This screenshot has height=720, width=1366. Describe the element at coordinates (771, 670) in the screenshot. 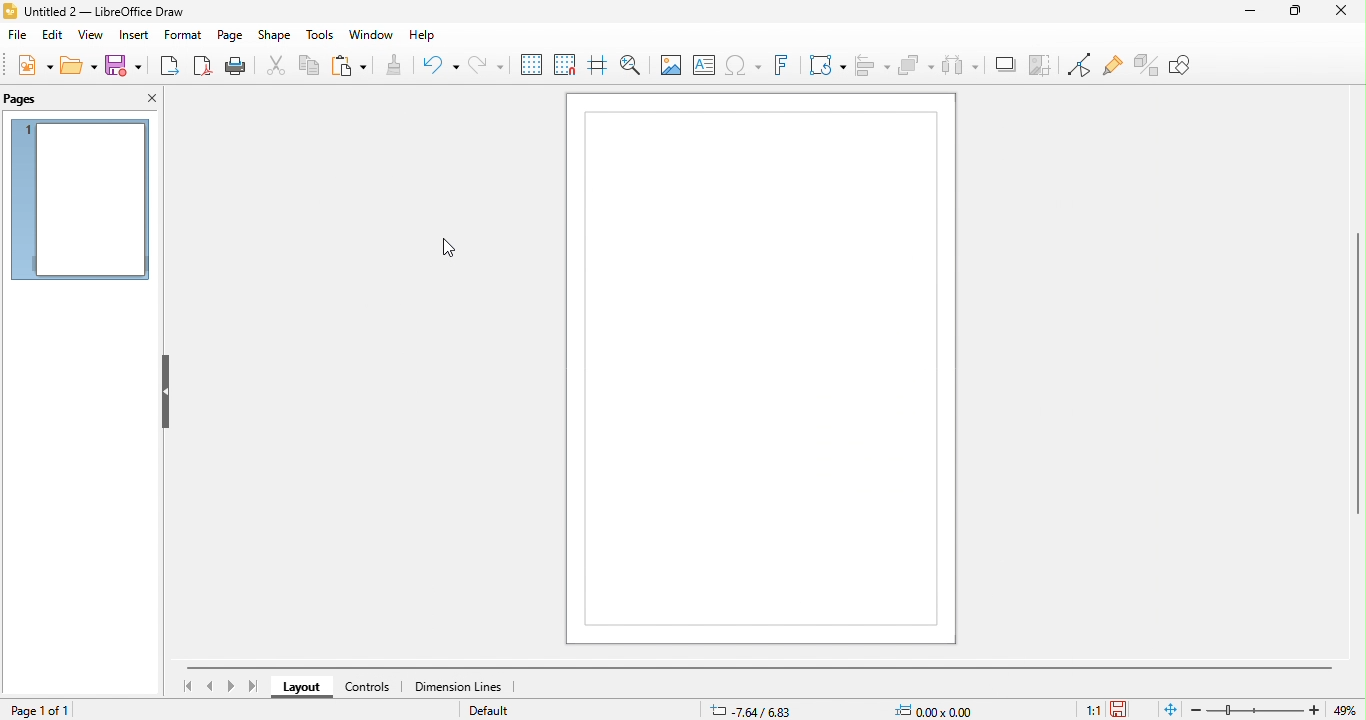

I see `horizontal scroll bar` at that location.